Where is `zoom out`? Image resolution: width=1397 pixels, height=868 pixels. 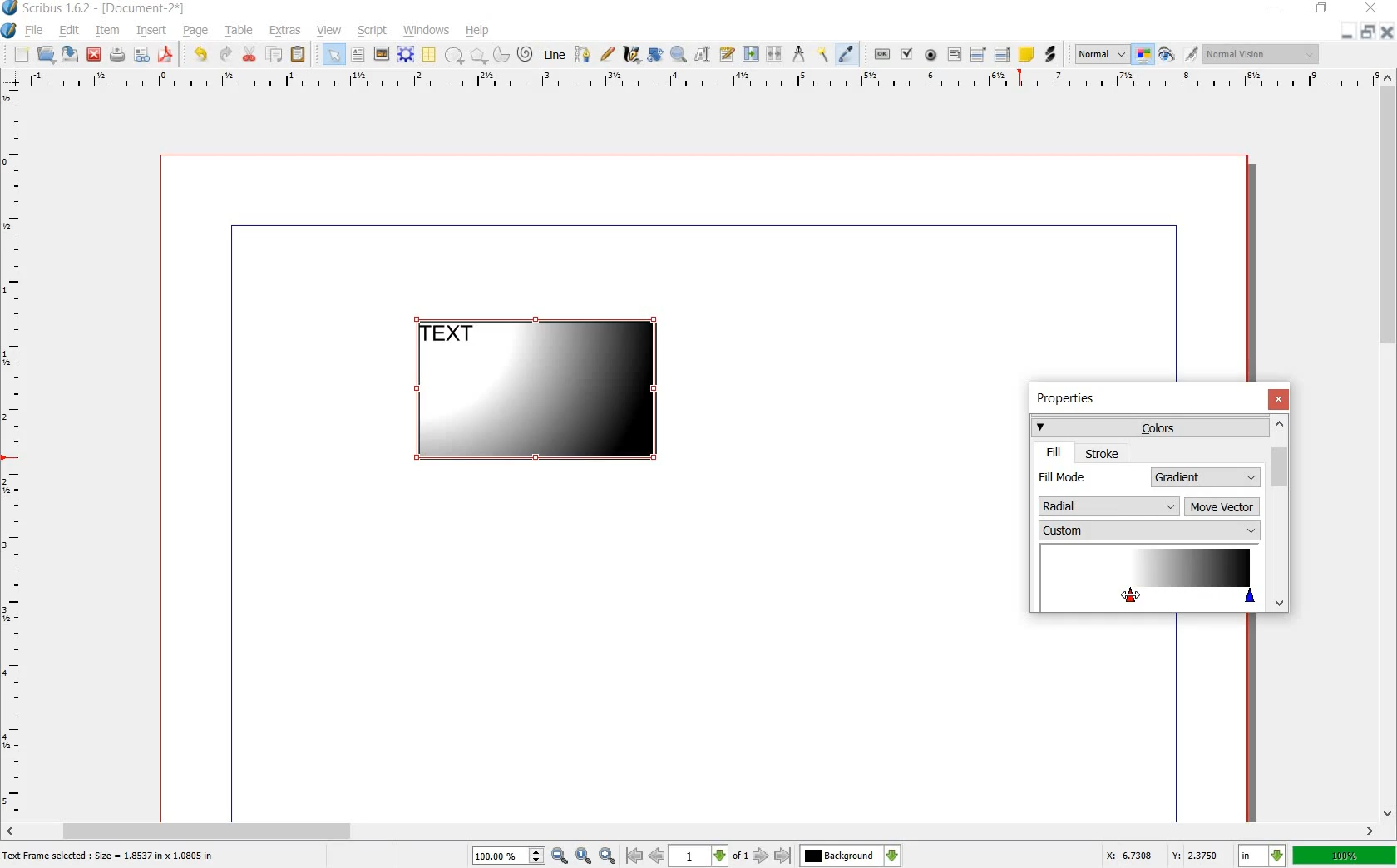 zoom out is located at coordinates (560, 856).